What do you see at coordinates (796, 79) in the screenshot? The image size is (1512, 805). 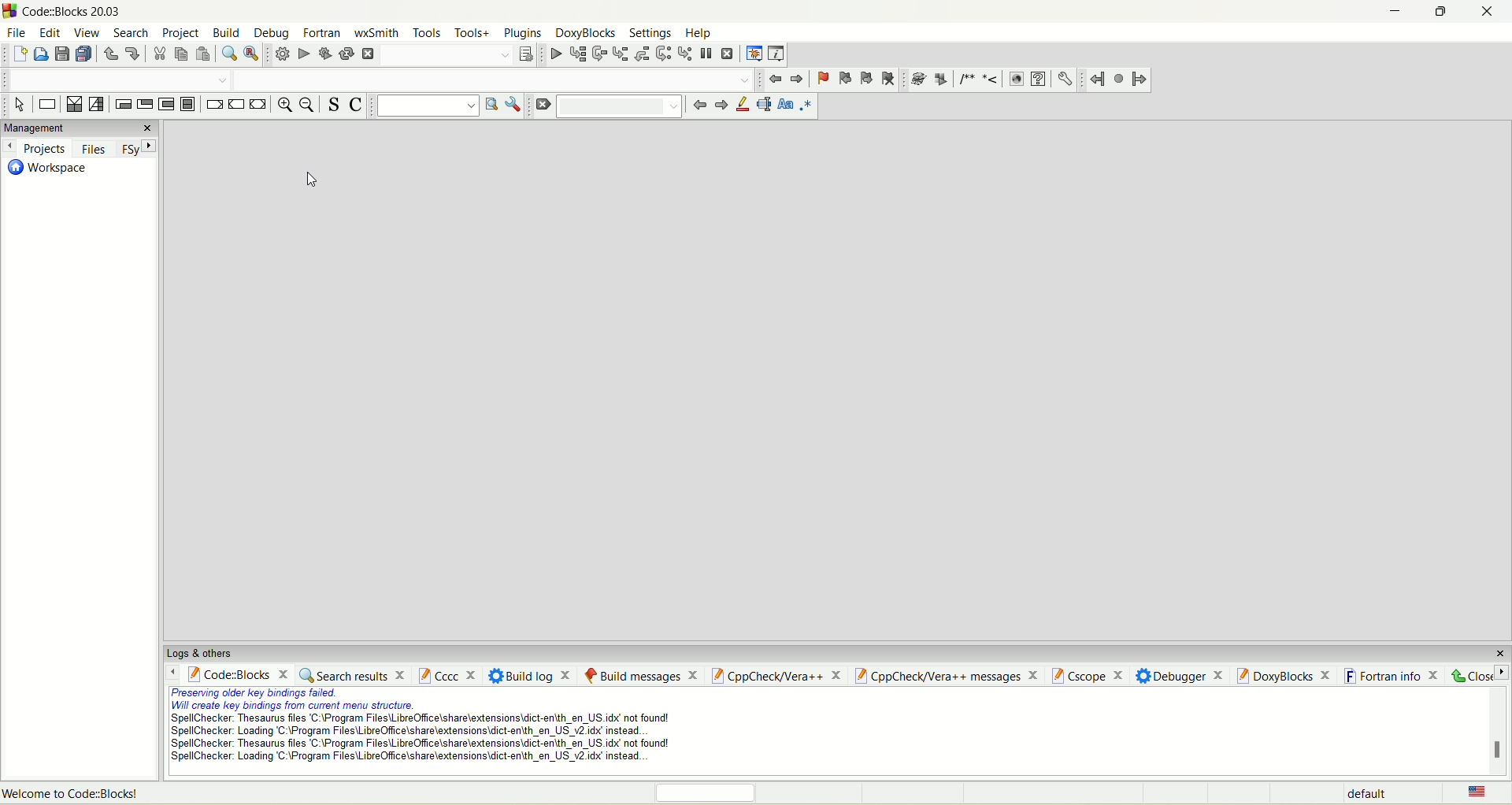 I see `jump forward` at bounding box center [796, 79].